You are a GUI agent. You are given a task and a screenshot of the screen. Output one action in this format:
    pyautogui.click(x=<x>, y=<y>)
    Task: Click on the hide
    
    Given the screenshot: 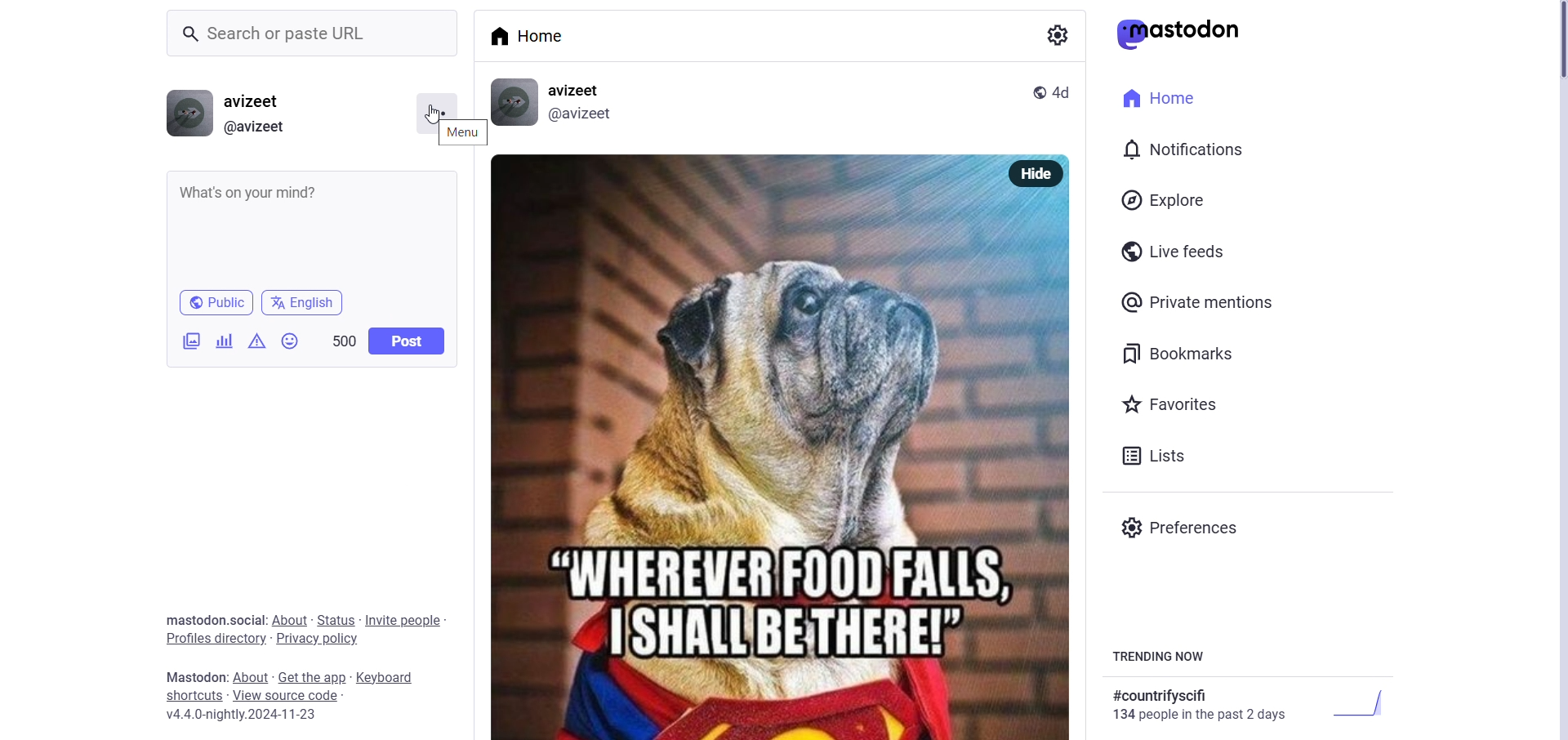 What is the action you would take?
    pyautogui.click(x=1038, y=173)
    